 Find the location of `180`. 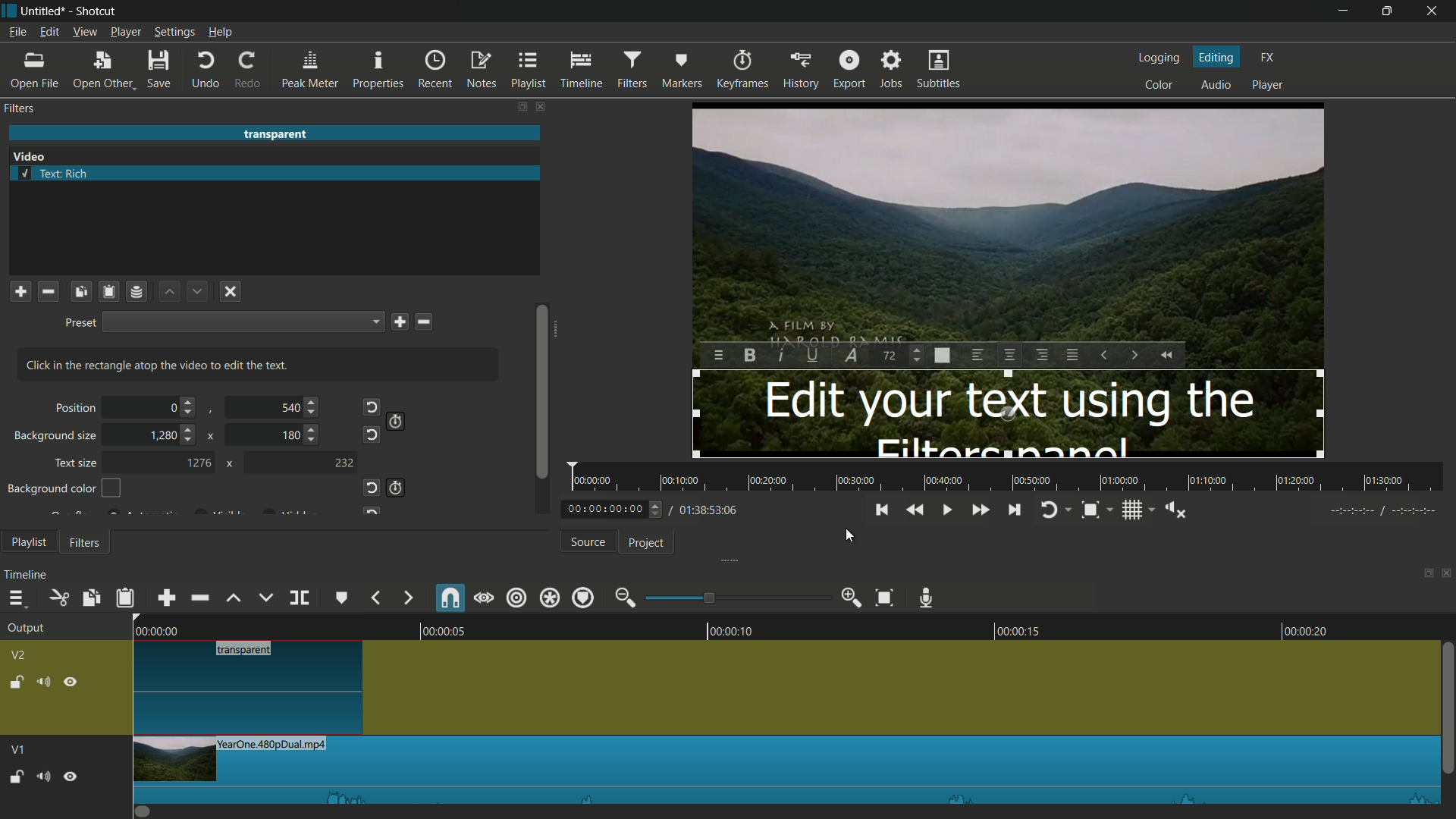

180 is located at coordinates (290, 436).